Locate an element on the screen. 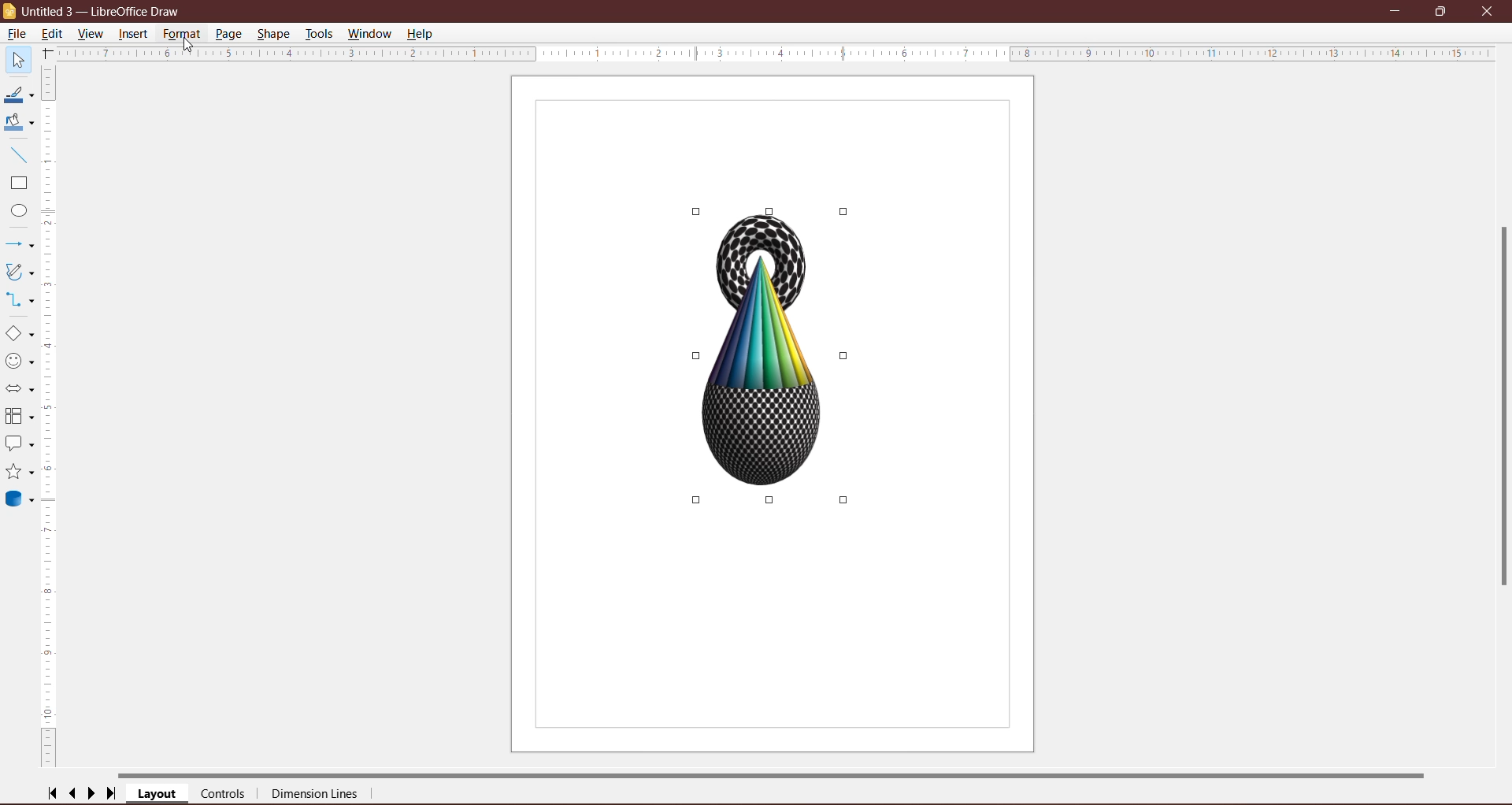 The image size is (1512, 805). Scroll to last page is located at coordinates (112, 794).